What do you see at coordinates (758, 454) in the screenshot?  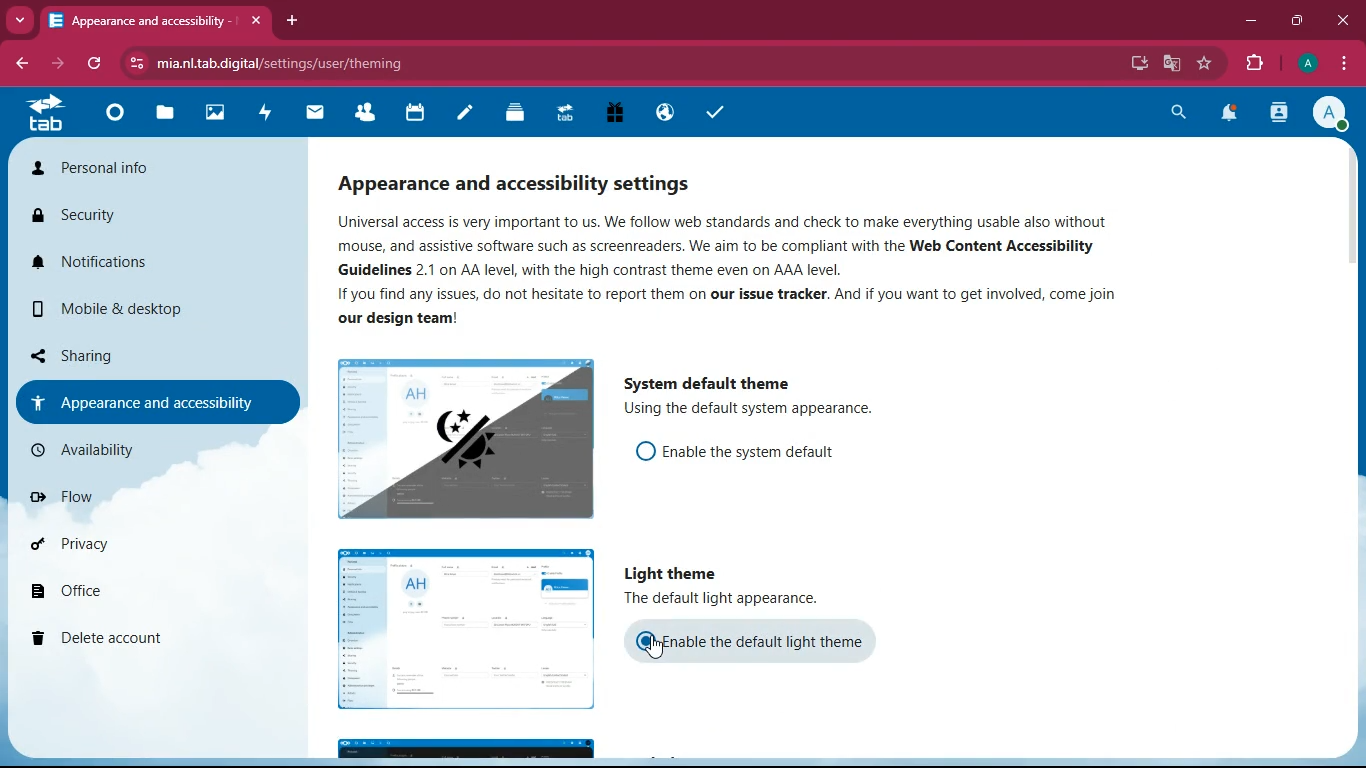 I see `enable` at bounding box center [758, 454].